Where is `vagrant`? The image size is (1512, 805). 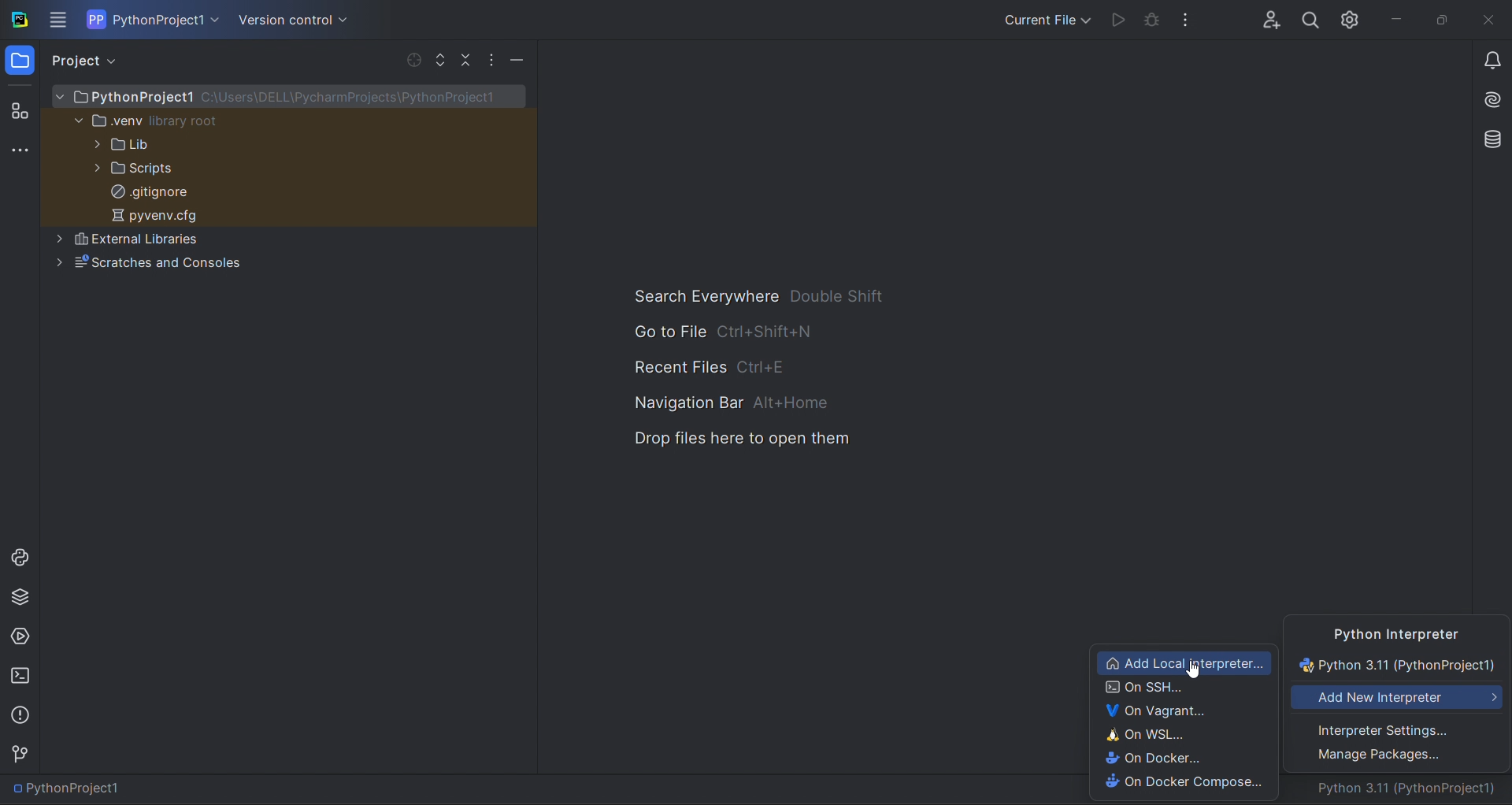 vagrant is located at coordinates (1183, 711).